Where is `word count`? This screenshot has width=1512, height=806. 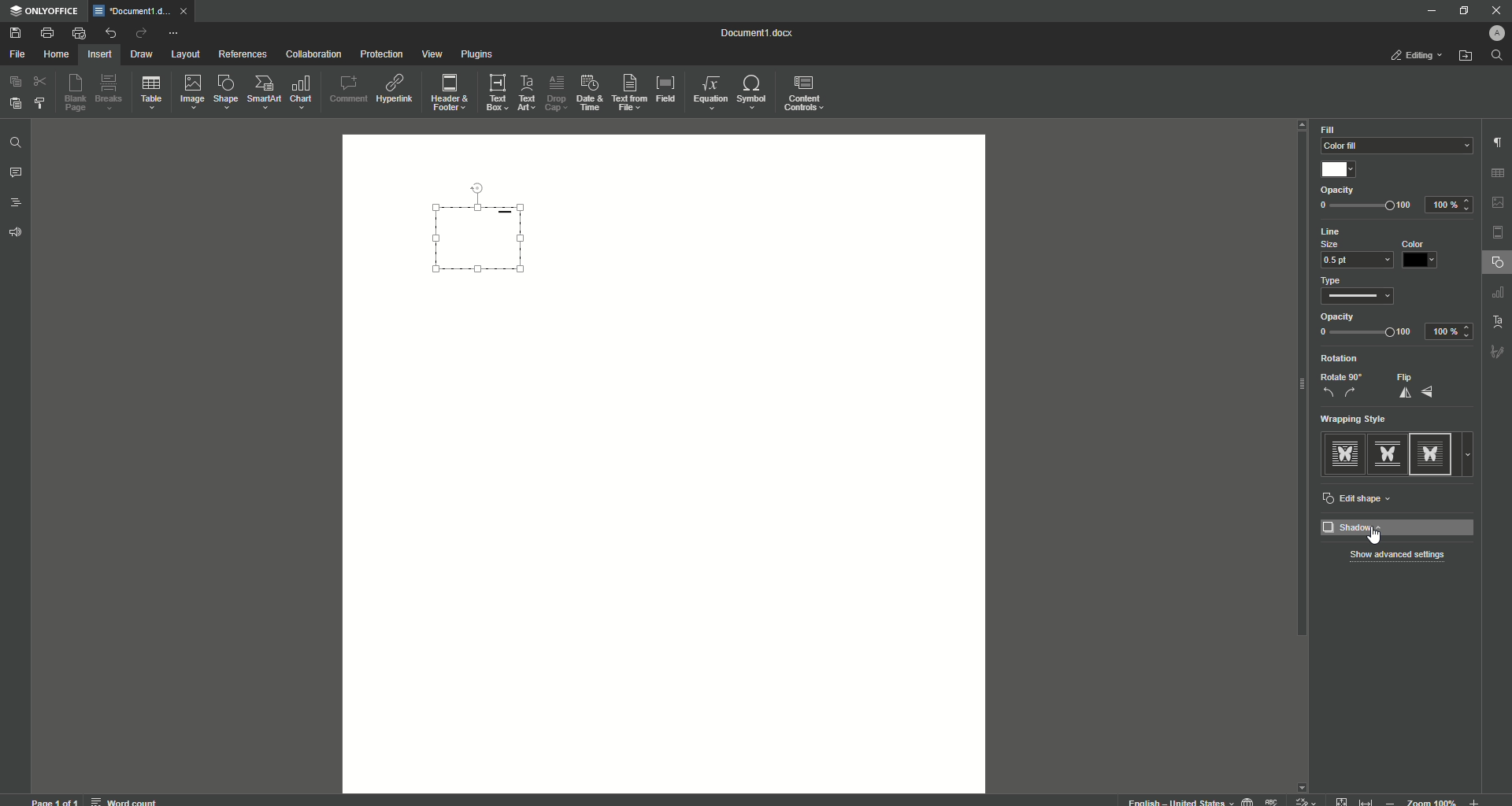 word count is located at coordinates (123, 799).